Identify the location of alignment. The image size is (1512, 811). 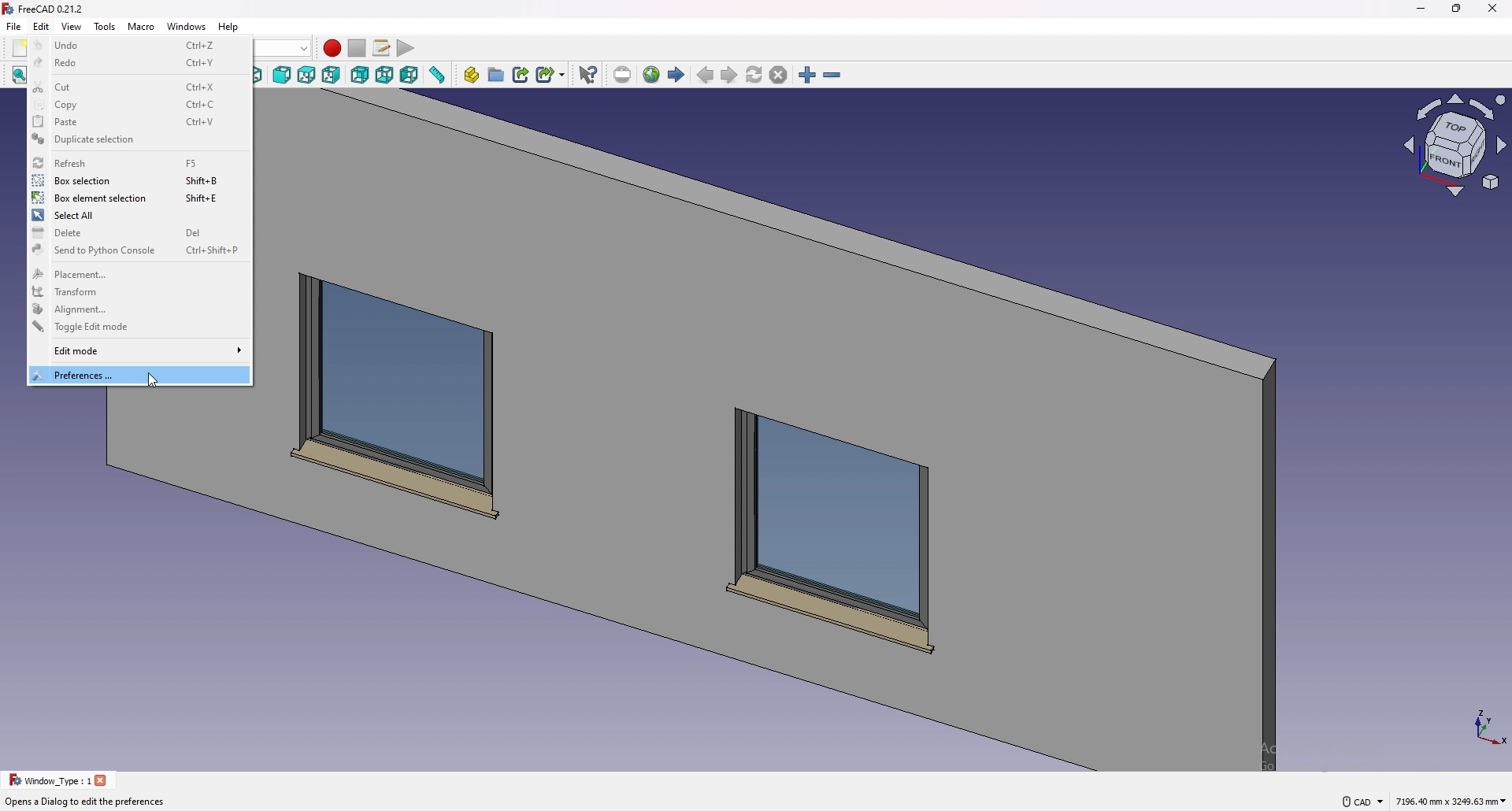
(138, 308).